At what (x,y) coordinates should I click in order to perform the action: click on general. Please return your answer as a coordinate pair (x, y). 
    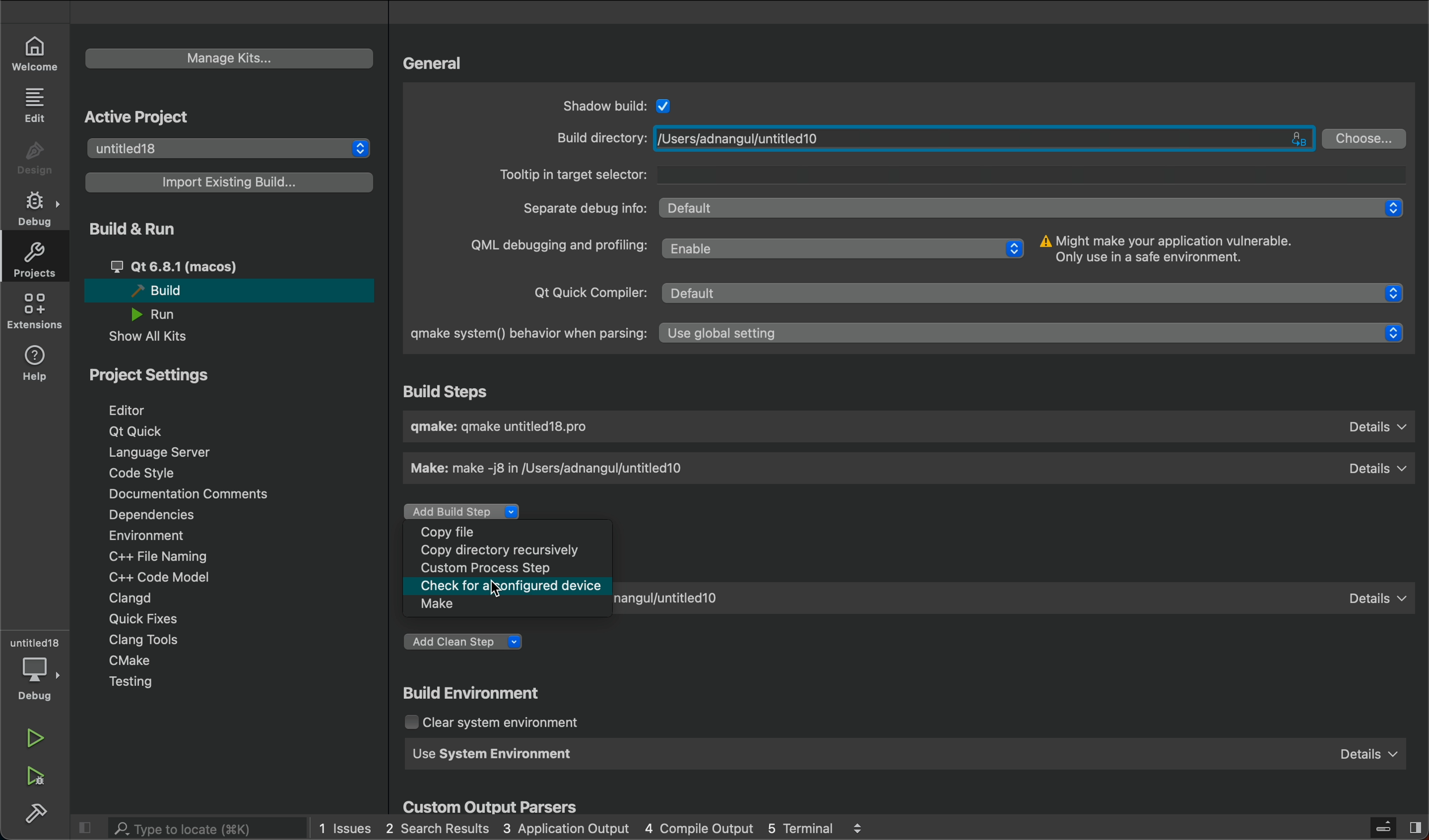
    Looking at the image, I should click on (443, 62).